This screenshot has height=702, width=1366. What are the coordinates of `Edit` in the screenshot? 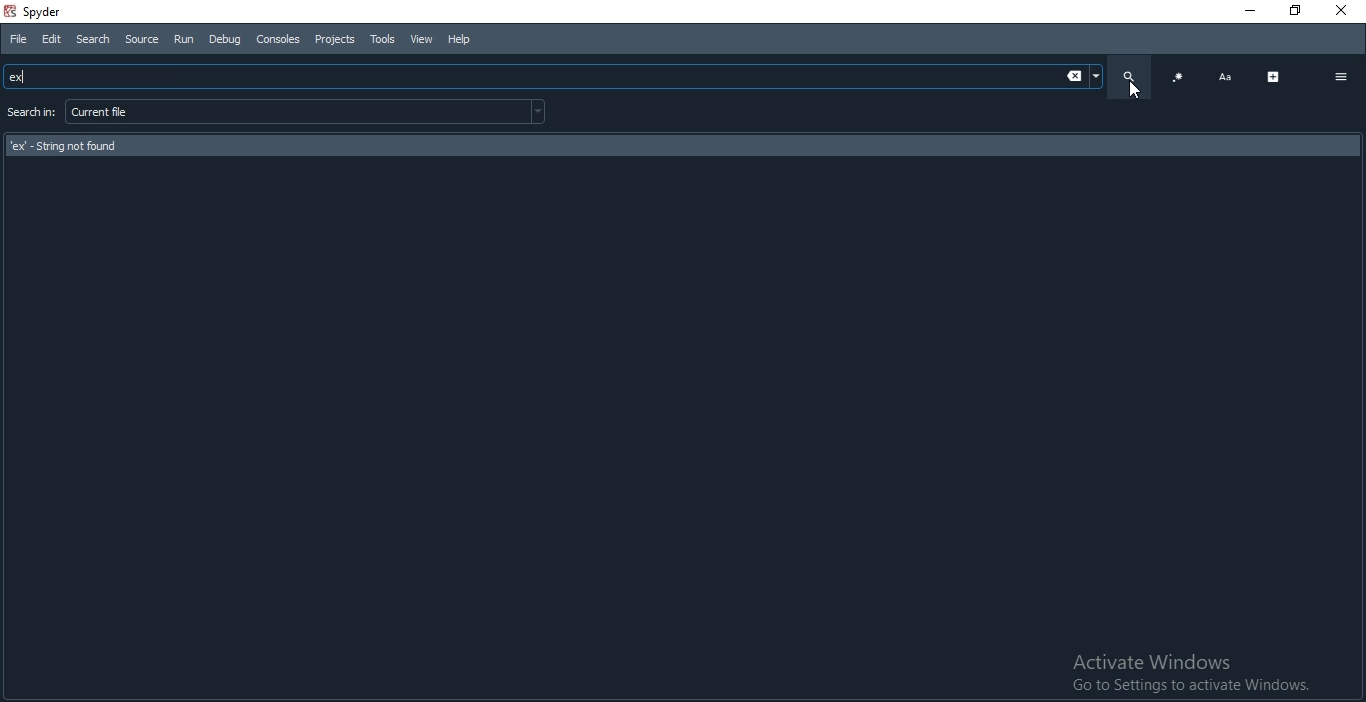 It's located at (50, 40).